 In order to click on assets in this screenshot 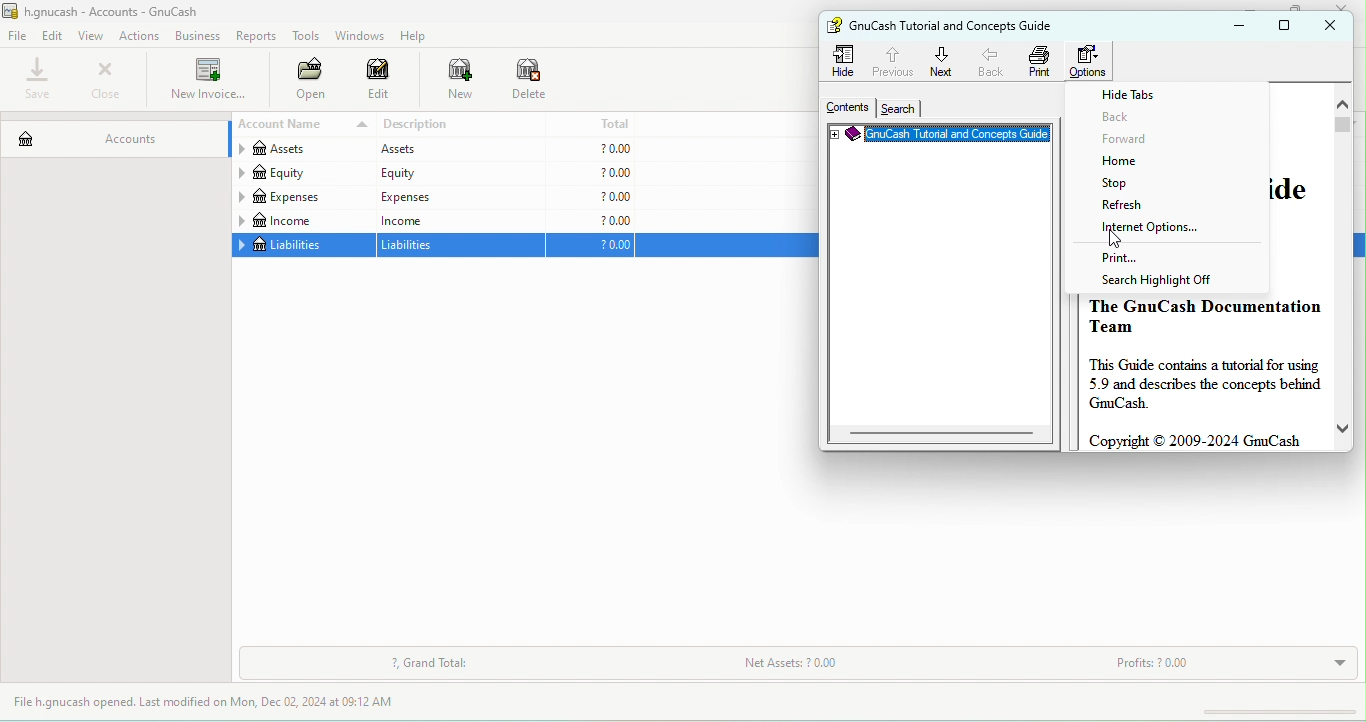, I will do `click(300, 151)`.